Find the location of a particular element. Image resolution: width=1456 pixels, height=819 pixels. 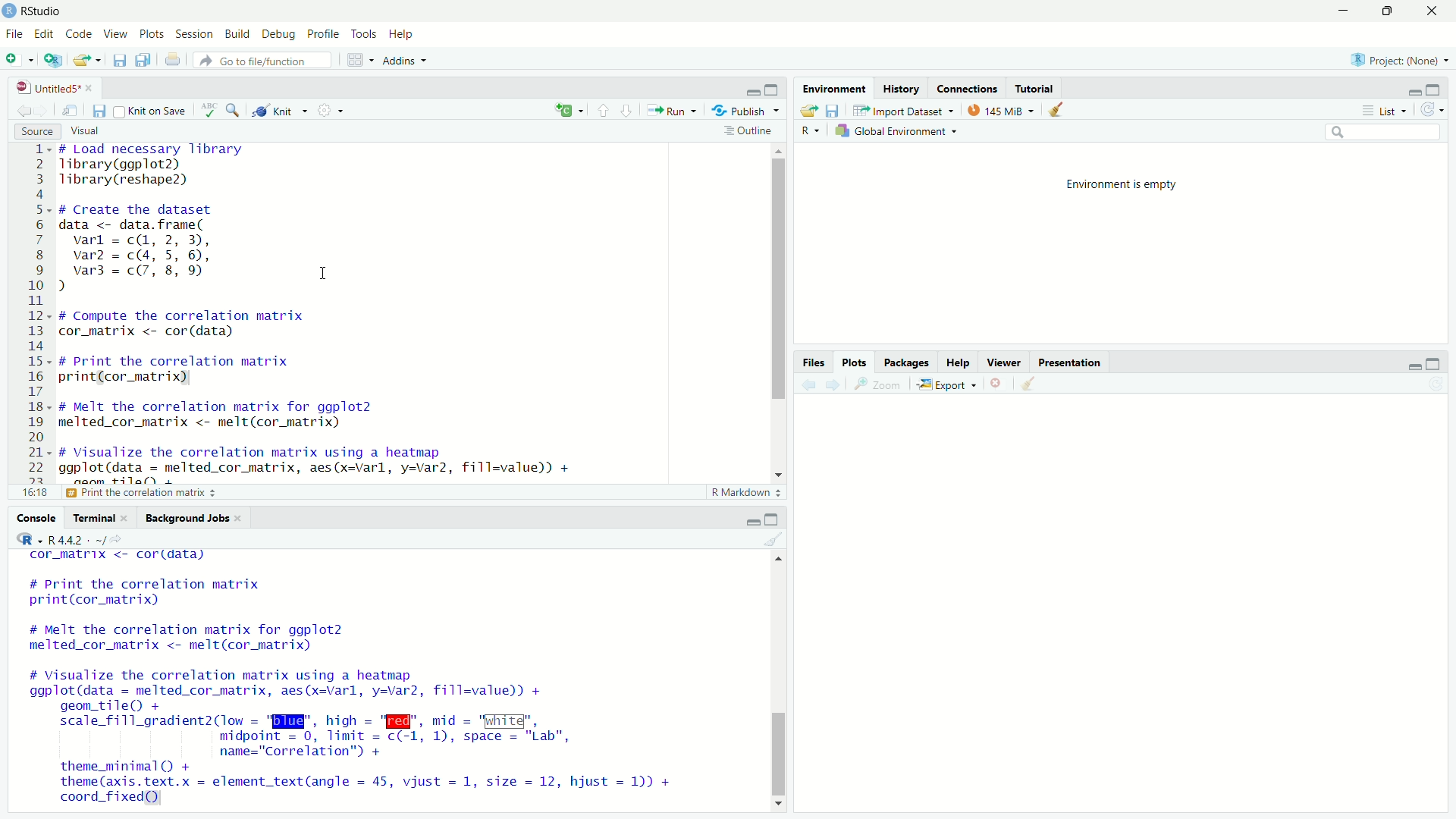

open in new window is located at coordinates (74, 111).